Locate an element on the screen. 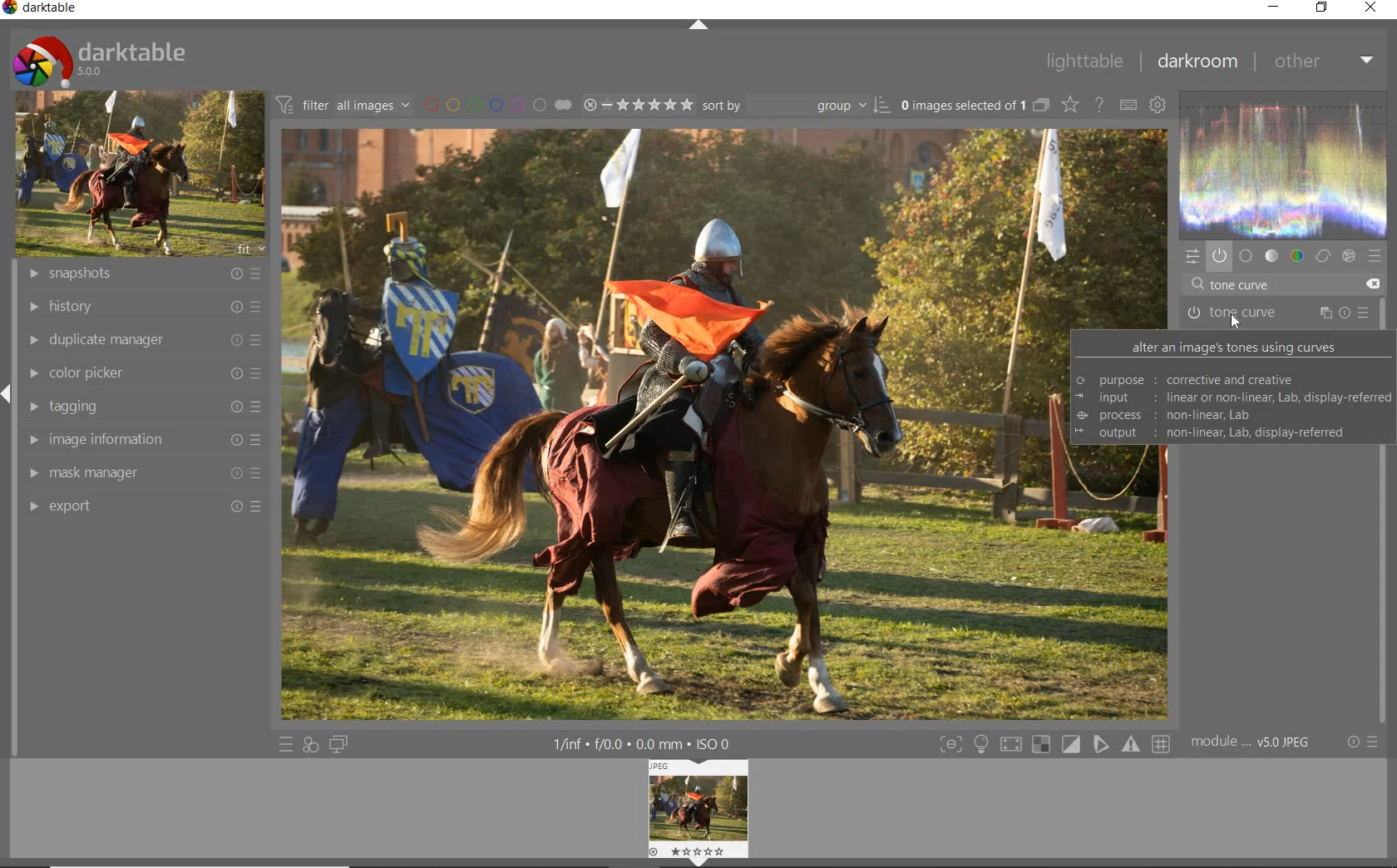 The image size is (1397, 868). correct is located at coordinates (1323, 256).